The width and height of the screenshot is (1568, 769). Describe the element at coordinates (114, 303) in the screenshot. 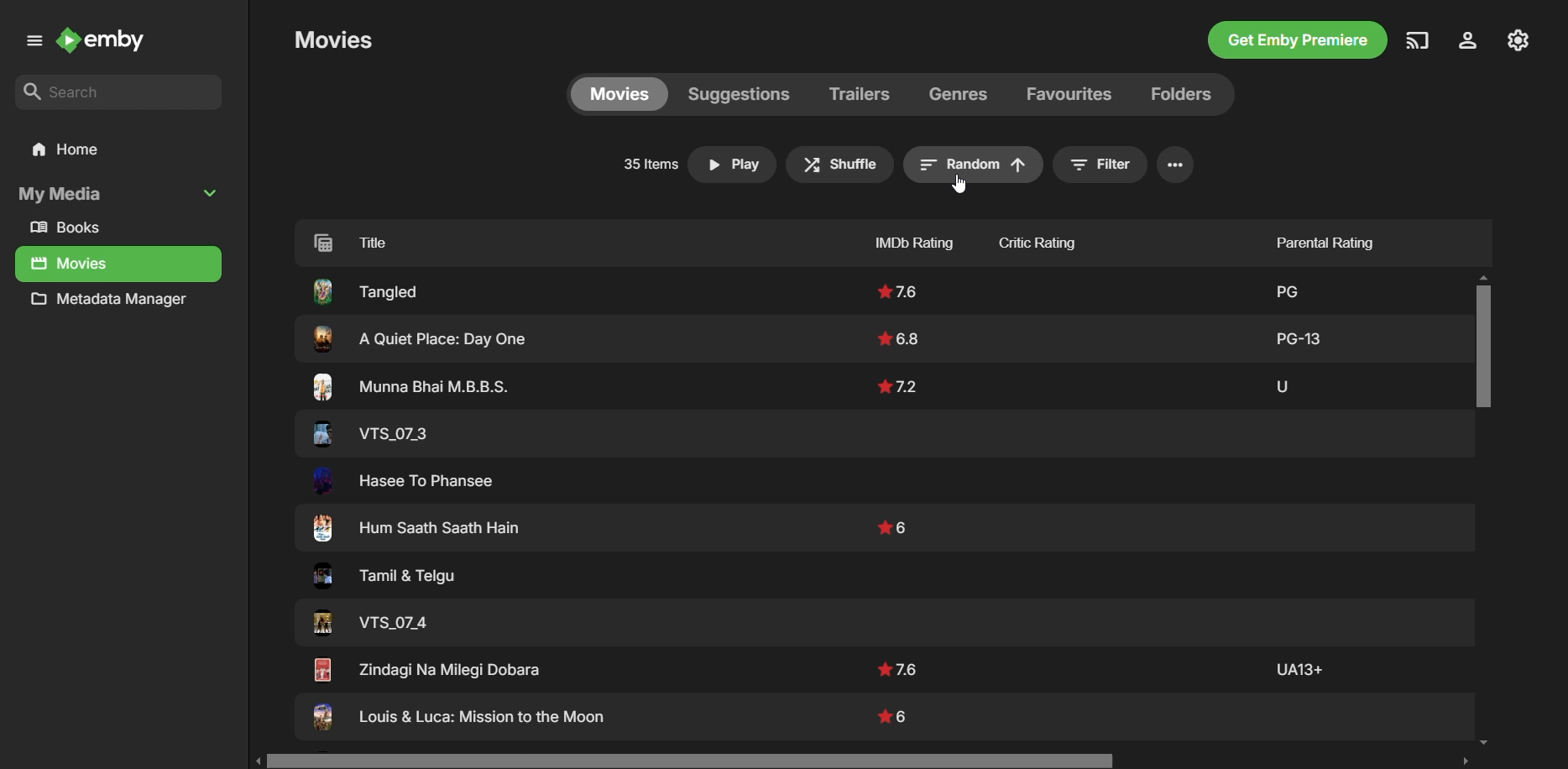

I see `Metadata Manager` at that location.